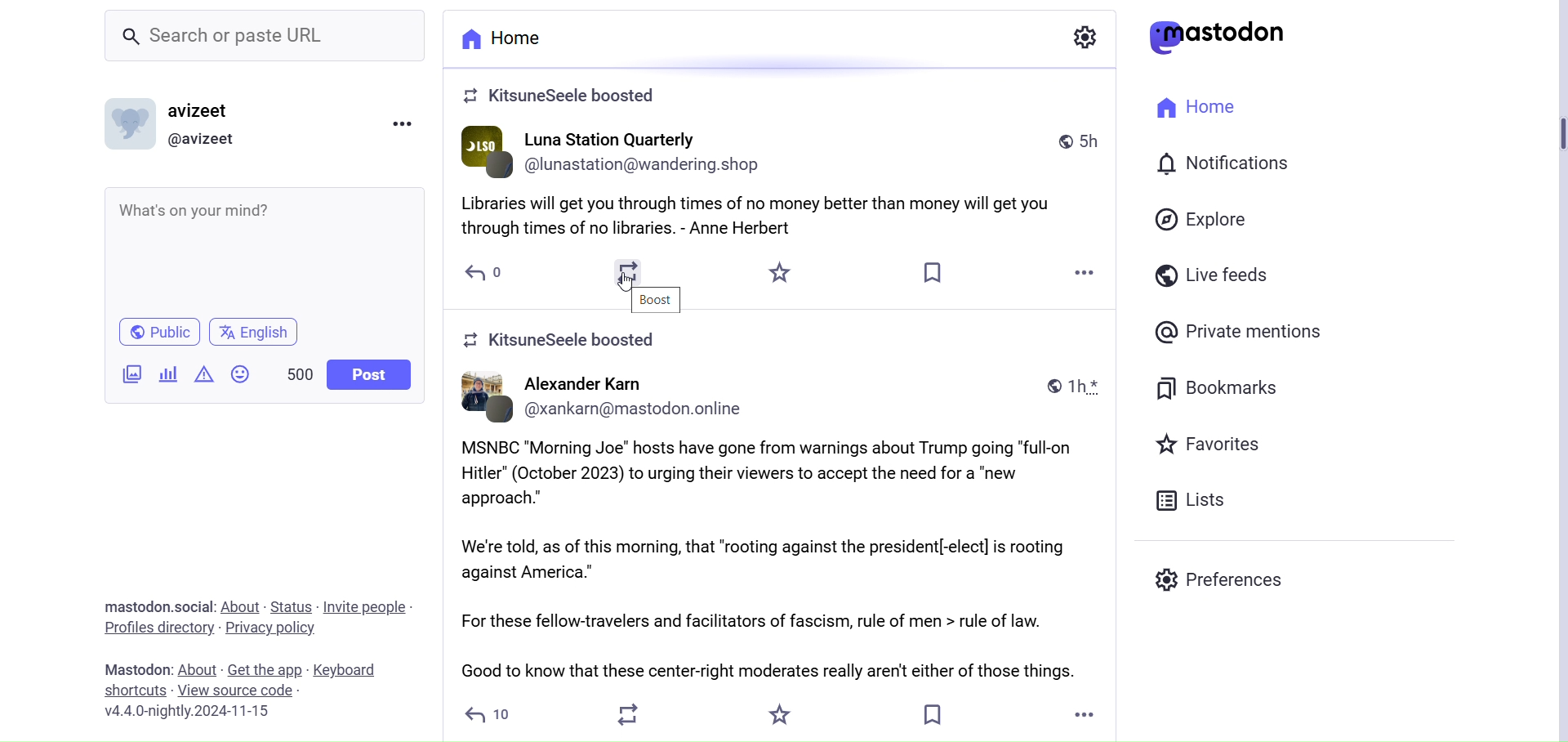 The height and width of the screenshot is (742, 1568). What do you see at coordinates (1216, 276) in the screenshot?
I see `Live Feeds` at bounding box center [1216, 276].